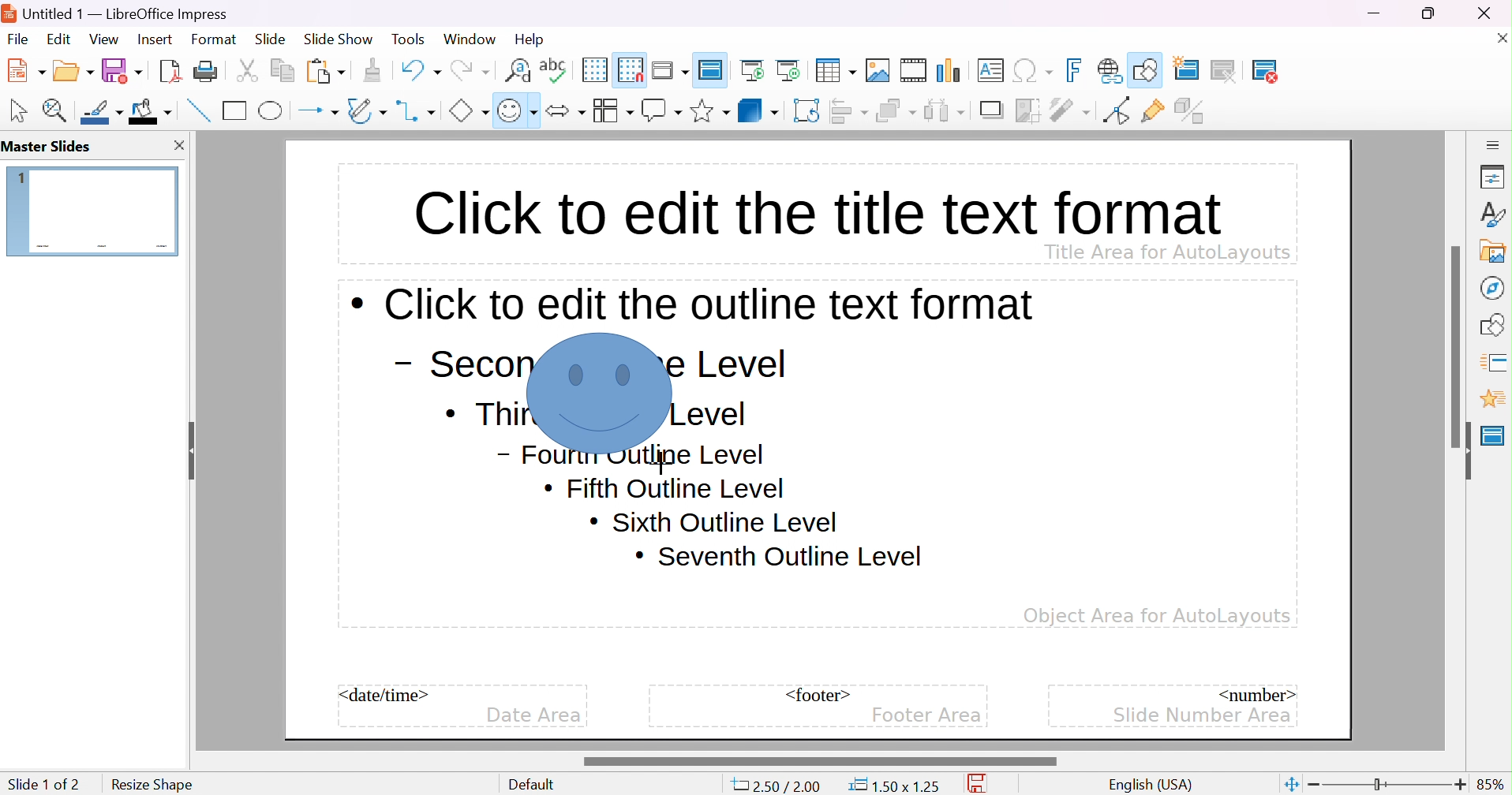 The height and width of the screenshot is (795, 1512). Describe the element at coordinates (196, 110) in the screenshot. I see `insert line` at that location.